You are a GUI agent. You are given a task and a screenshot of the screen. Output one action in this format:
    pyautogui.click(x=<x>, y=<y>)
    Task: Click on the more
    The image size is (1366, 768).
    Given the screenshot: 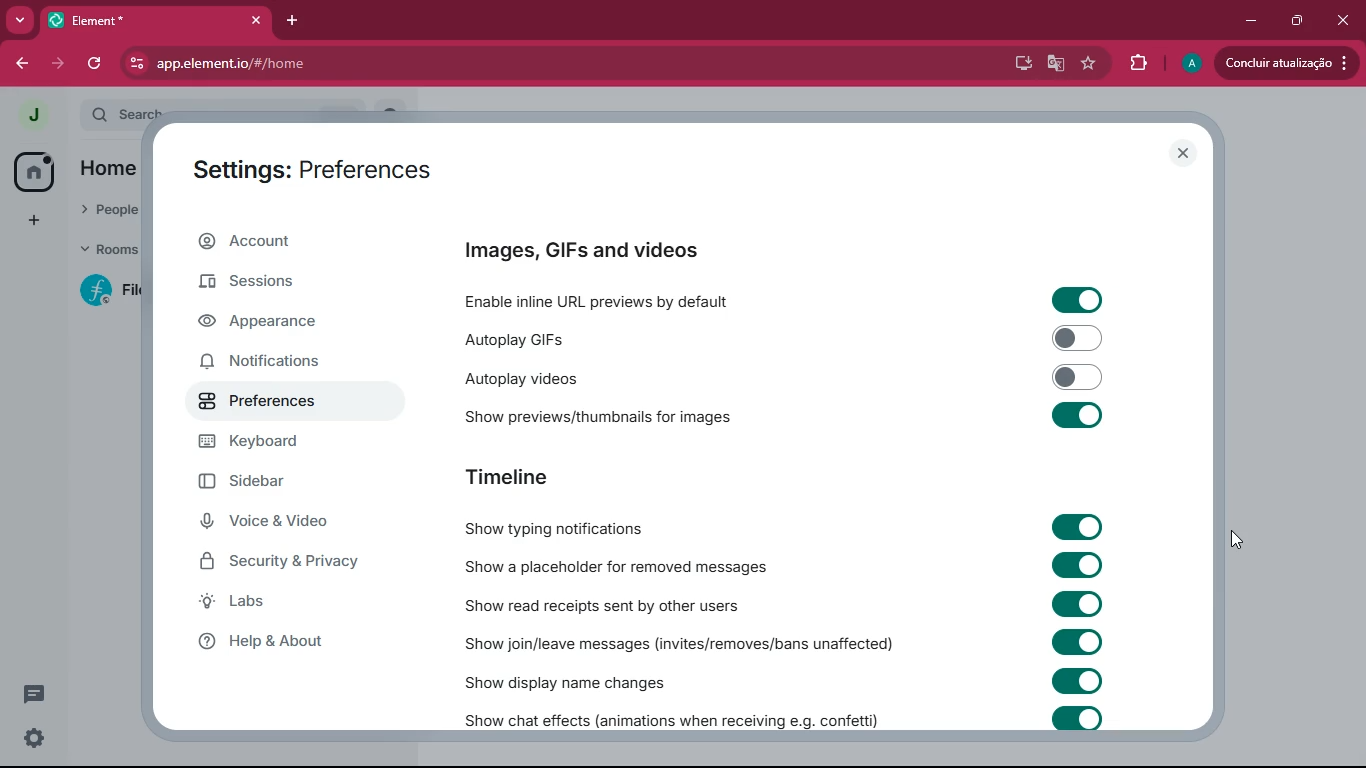 What is the action you would take?
    pyautogui.click(x=36, y=219)
    